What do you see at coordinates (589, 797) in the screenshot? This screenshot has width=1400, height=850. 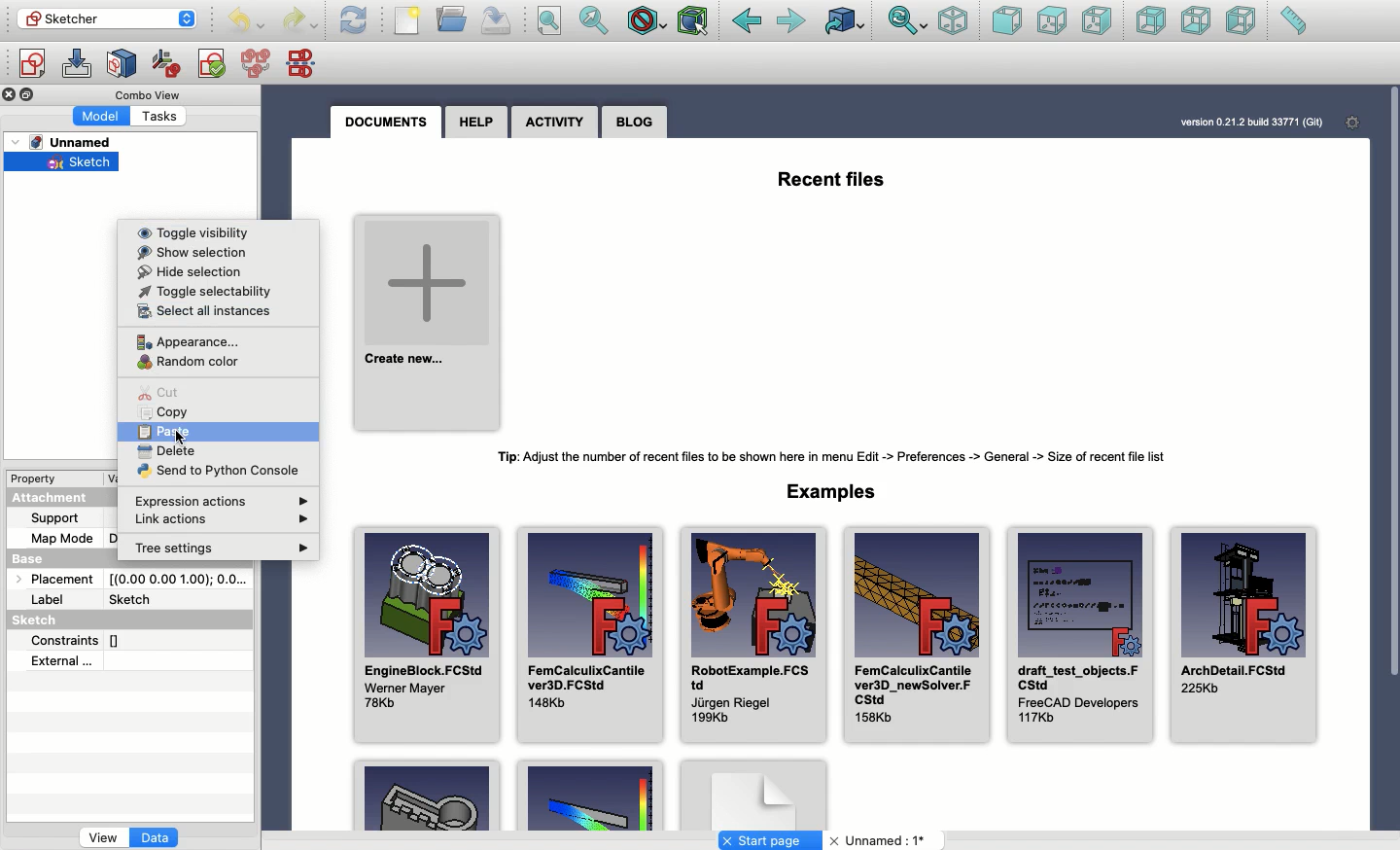 I see `Examples` at bounding box center [589, 797].